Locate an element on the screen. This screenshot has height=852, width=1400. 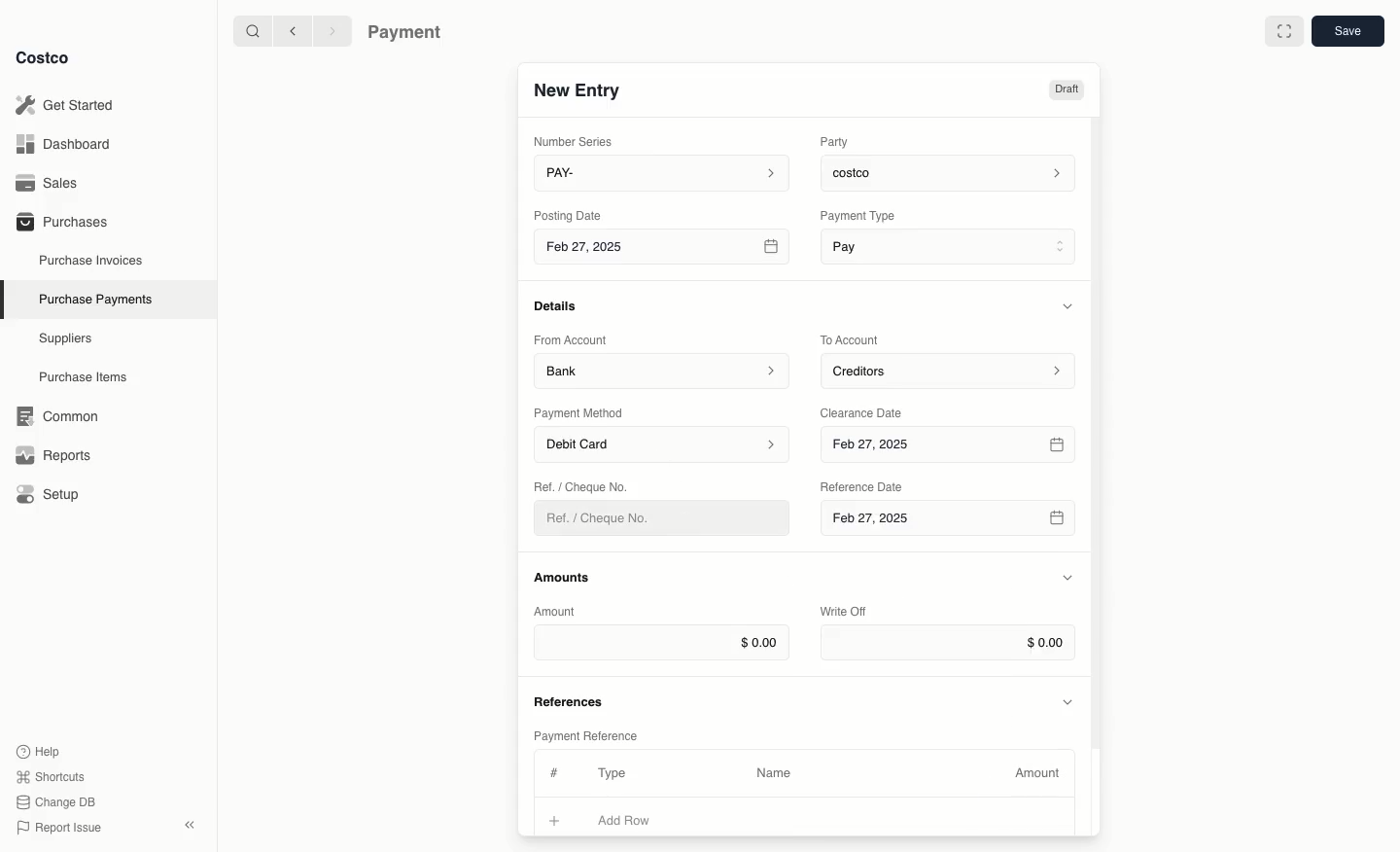
Details is located at coordinates (561, 305).